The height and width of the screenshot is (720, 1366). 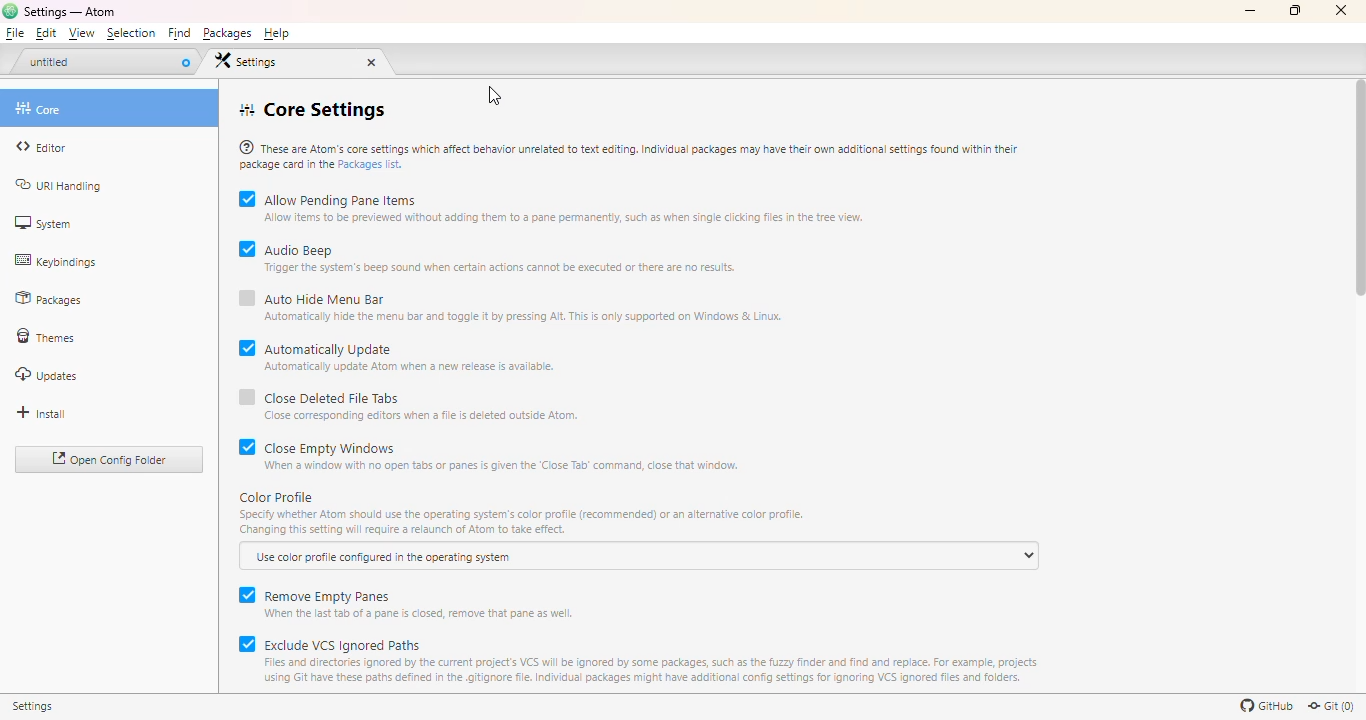 What do you see at coordinates (49, 300) in the screenshot?
I see `packages` at bounding box center [49, 300].